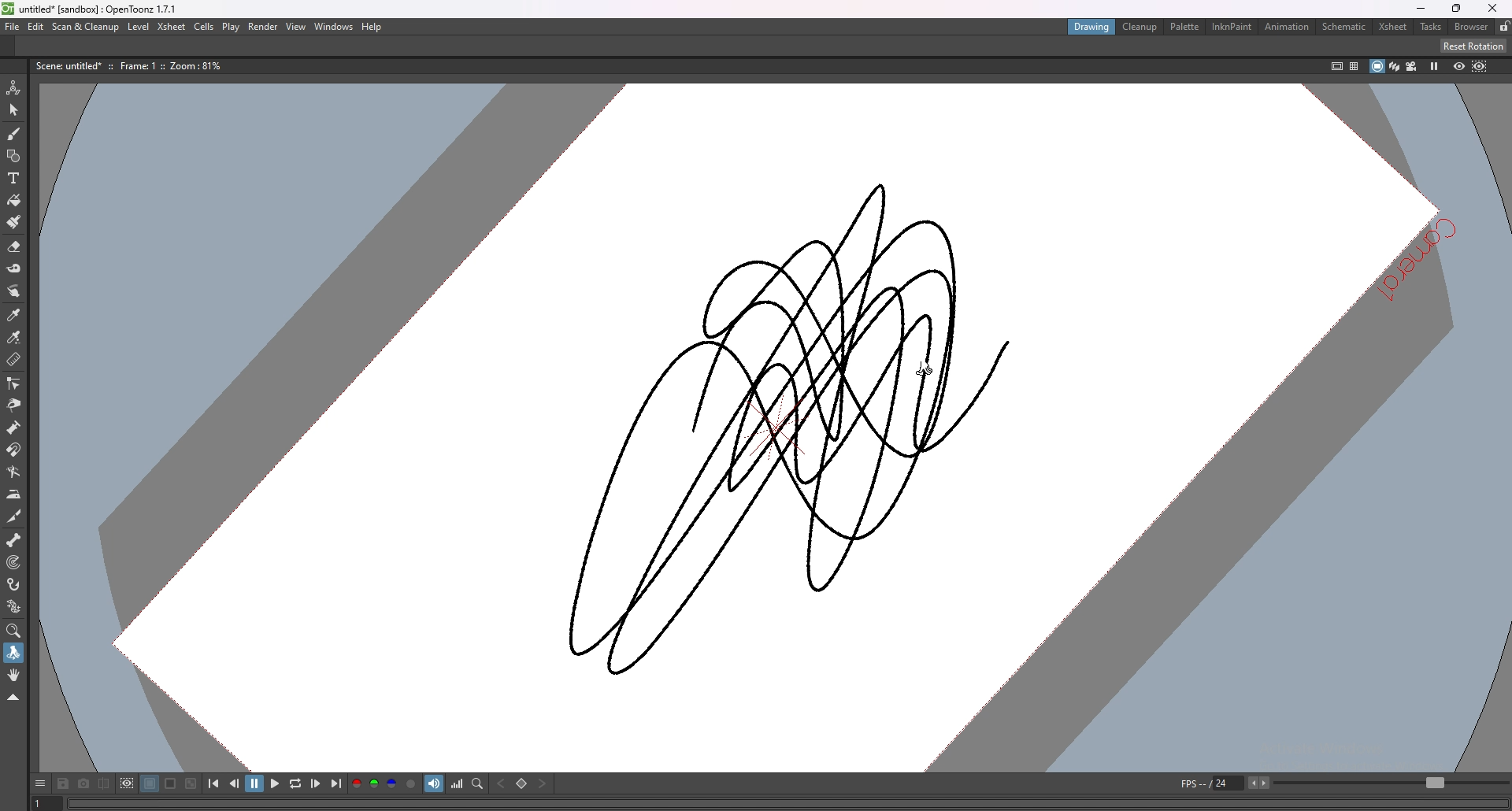 Image resolution: width=1512 pixels, height=811 pixels. What do you see at coordinates (521, 783) in the screenshot?
I see `set key` at bounding box center [521, 783].